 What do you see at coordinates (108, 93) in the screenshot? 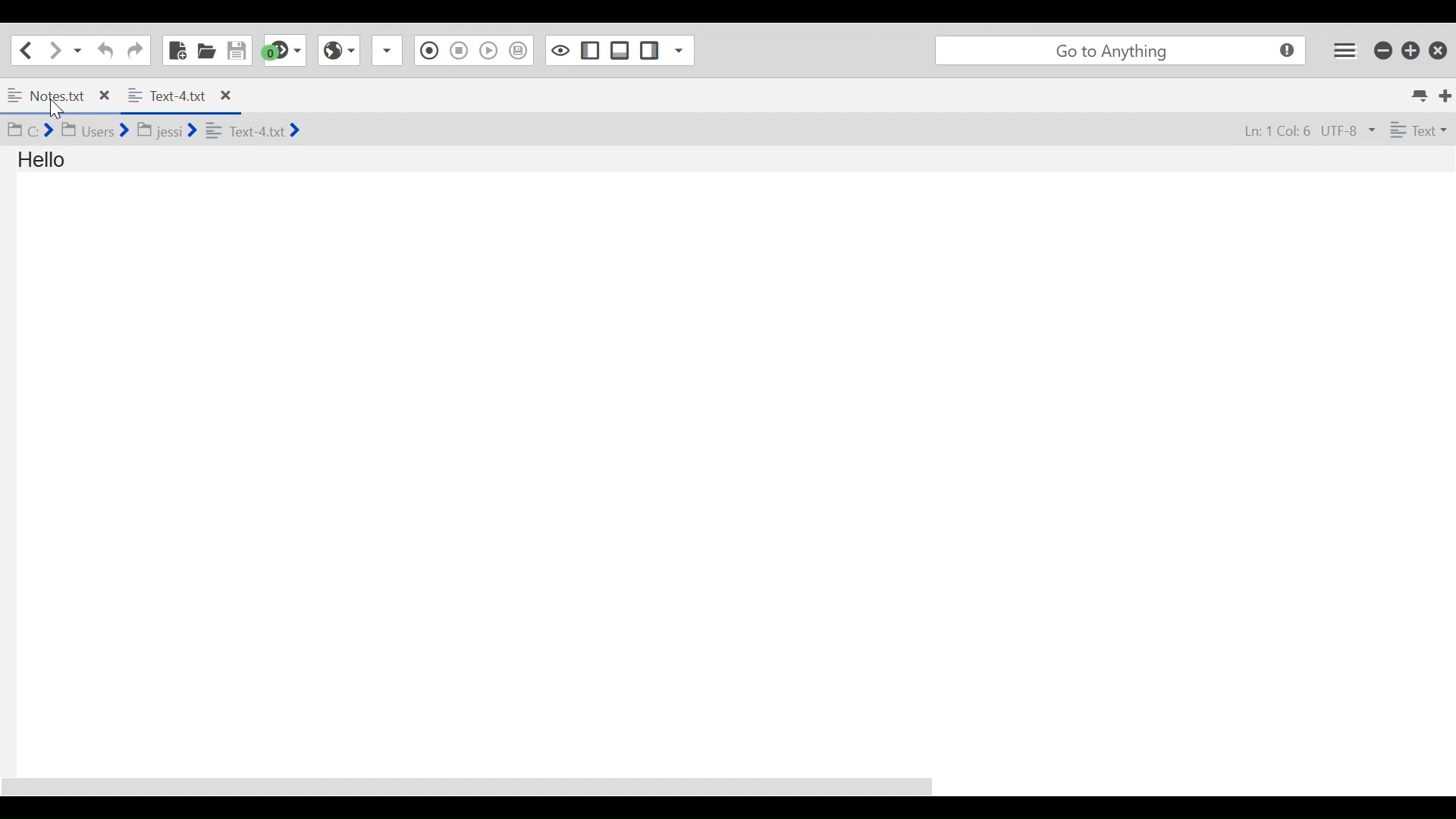
I see `close` at bounding box center [108, 93].